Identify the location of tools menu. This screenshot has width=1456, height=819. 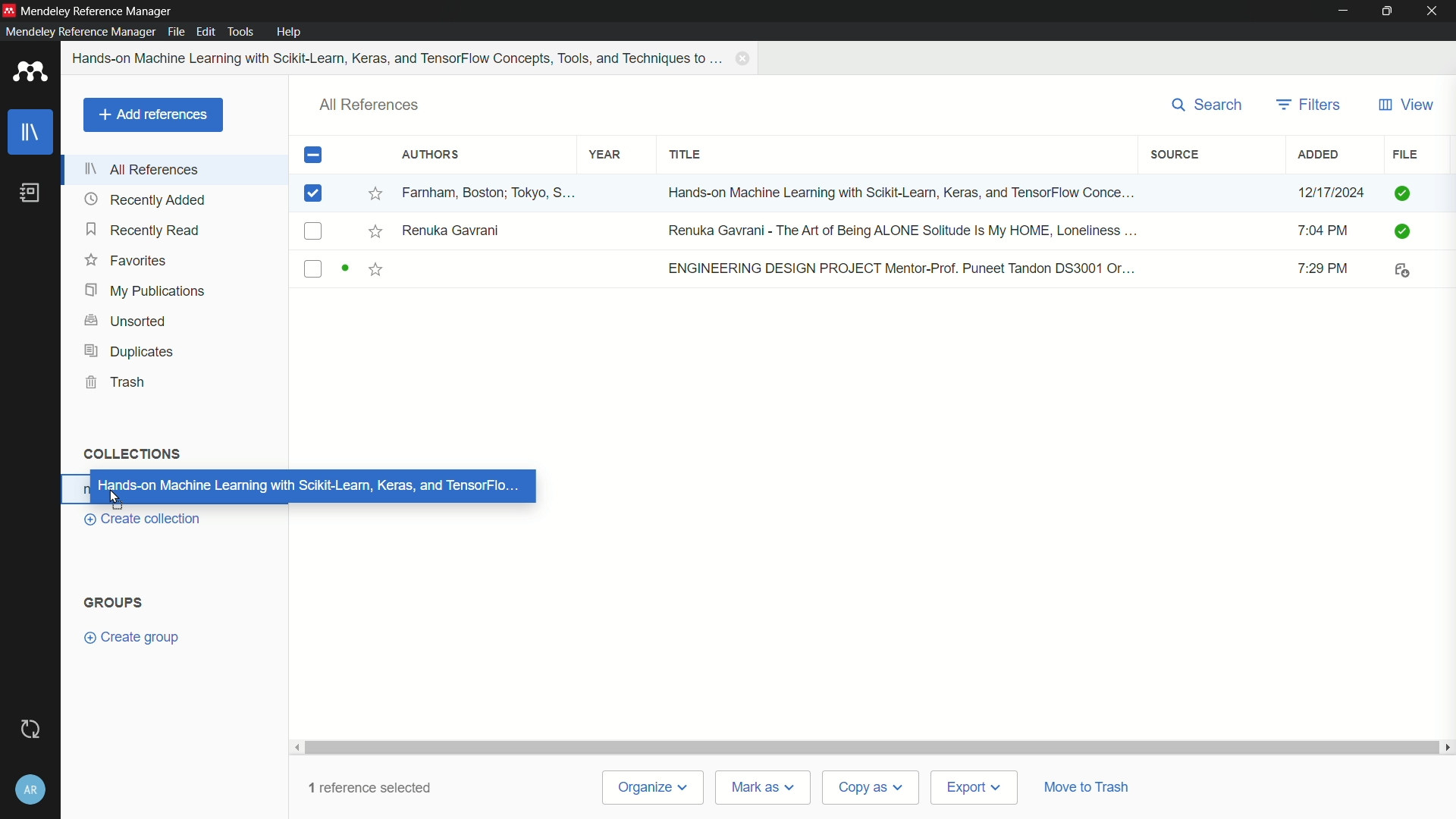
(240, 33).